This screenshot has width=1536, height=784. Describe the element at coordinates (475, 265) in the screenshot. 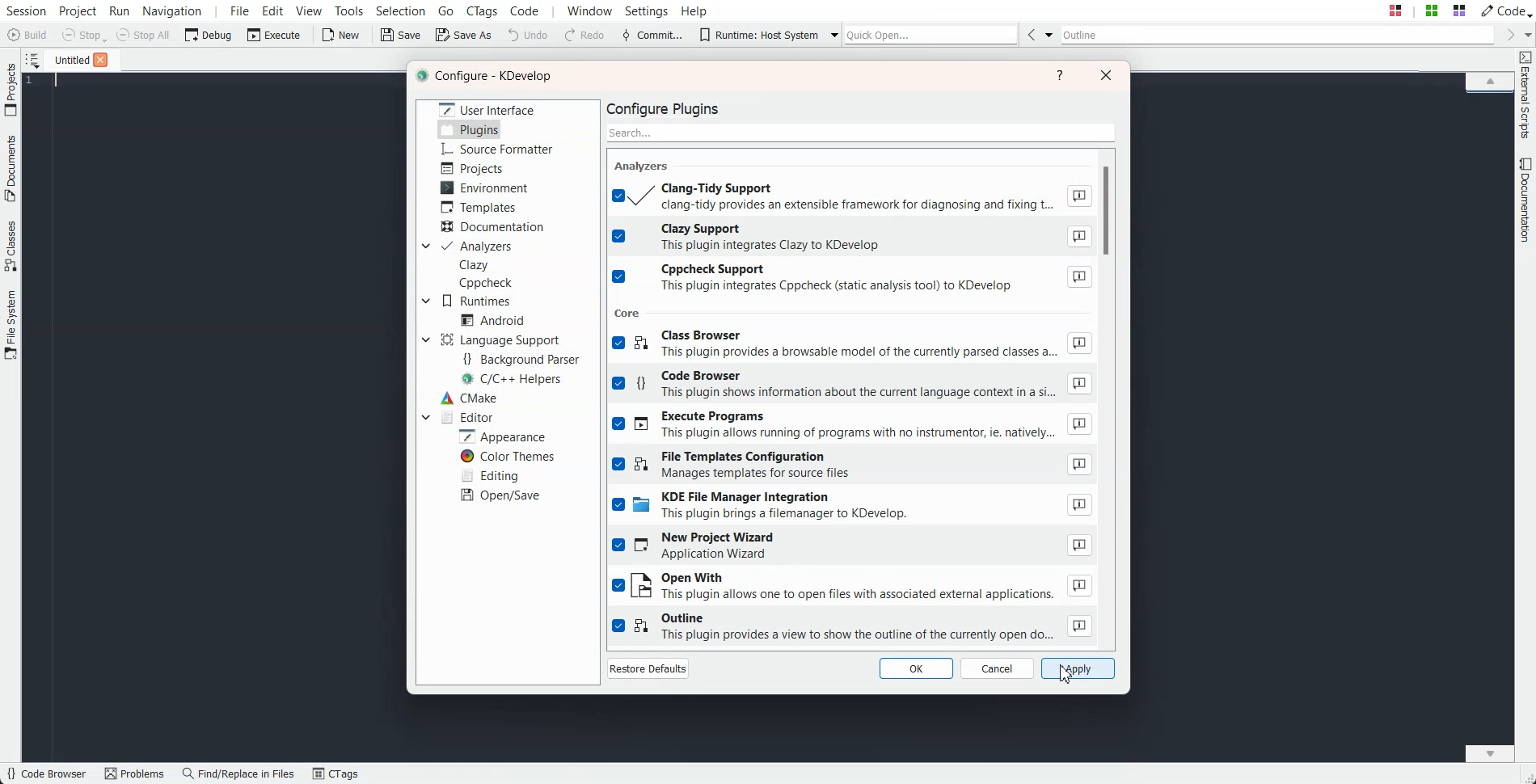

I see `Clazy` at that location.